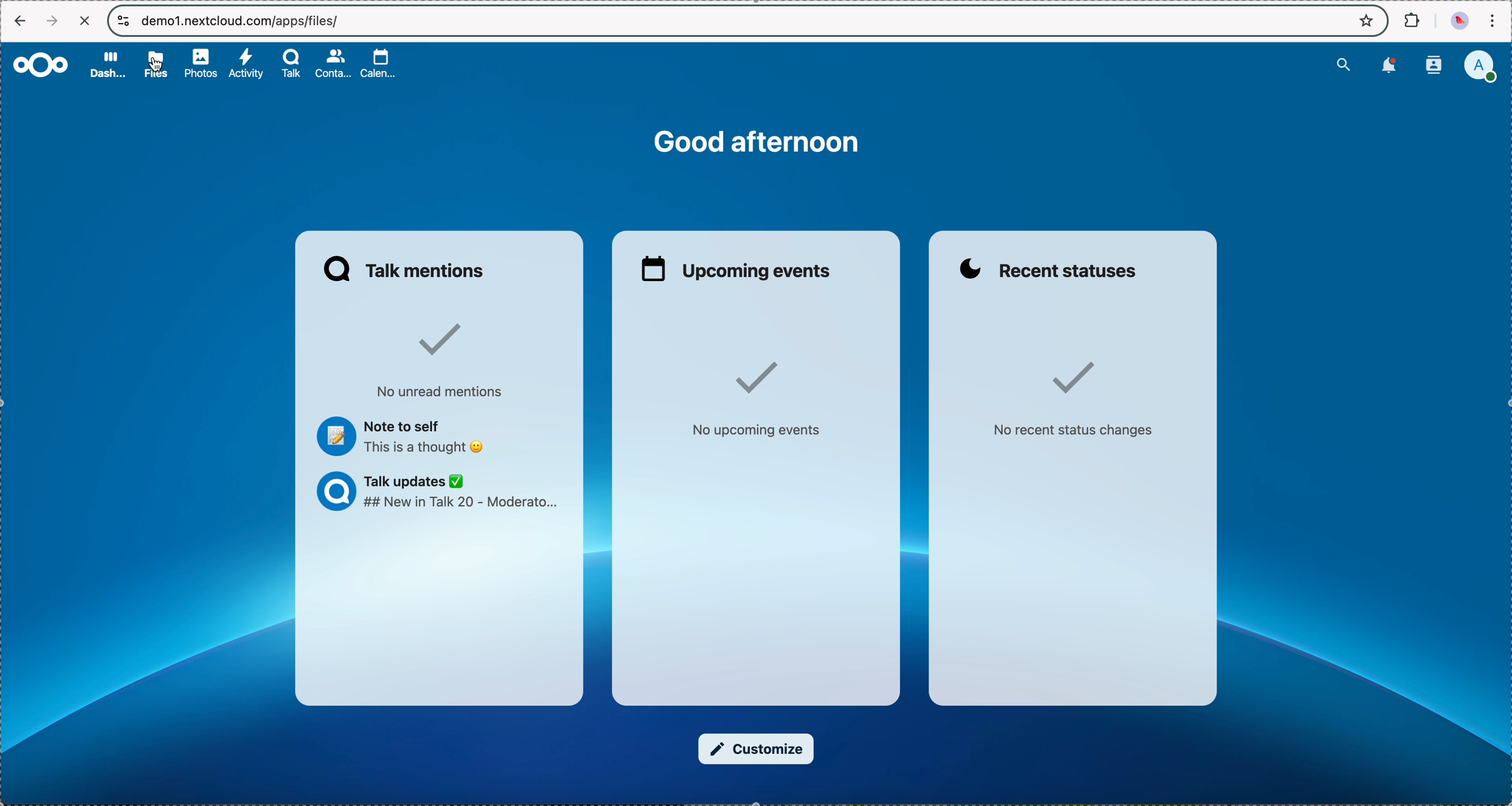 This screenshot has height=806, width=1512. What do you see at coordinates (1493, 21) in the screenshot?
I see `customize and control Google Chrome` at bounding box center [1493, 21].